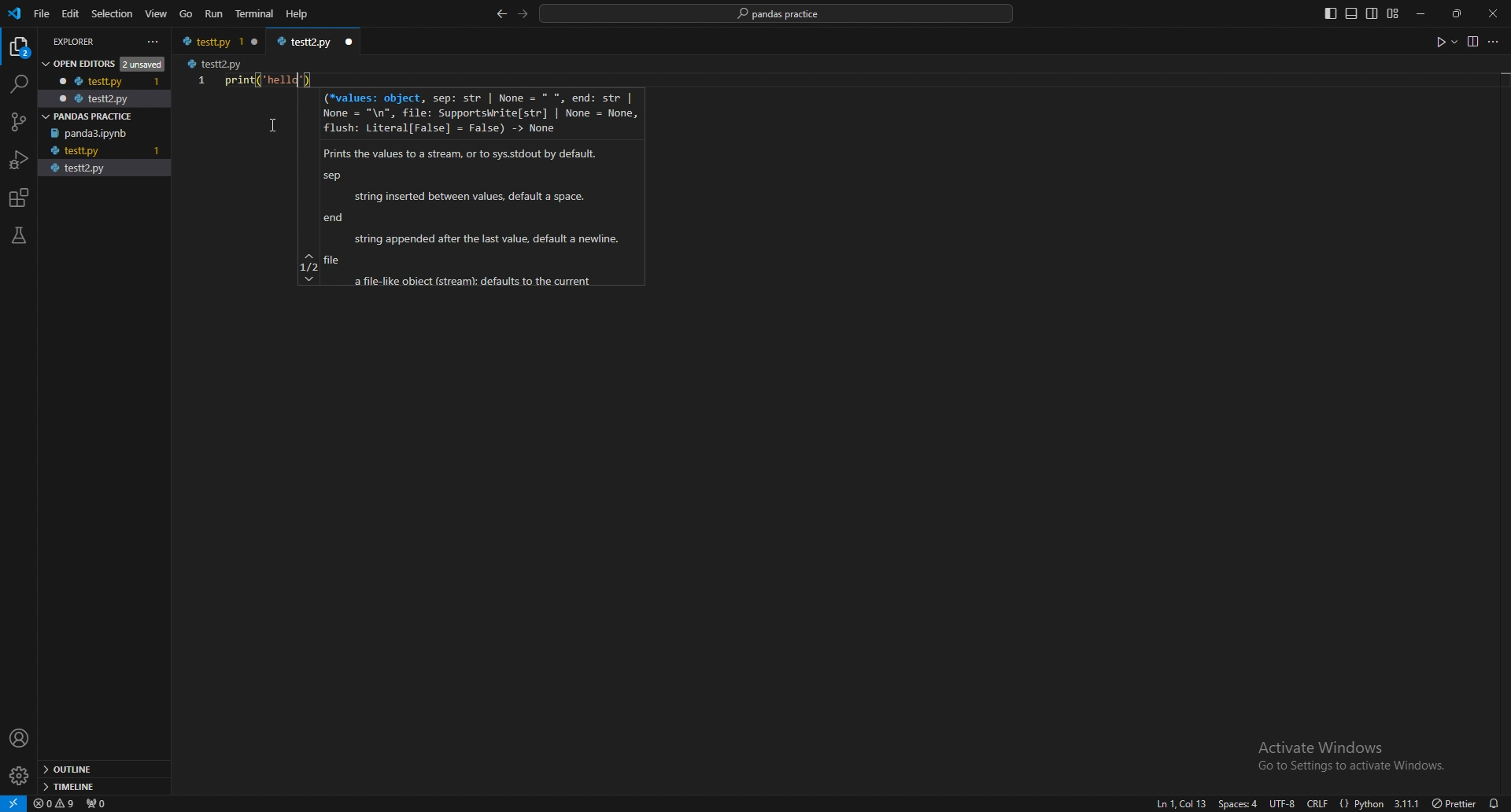 Image resolution: width=1511 pixels, height=812 pixels. What do you see at coordinates (55, 803) in the screenshot?
I see `warnings` at bounding box center [55, 803].